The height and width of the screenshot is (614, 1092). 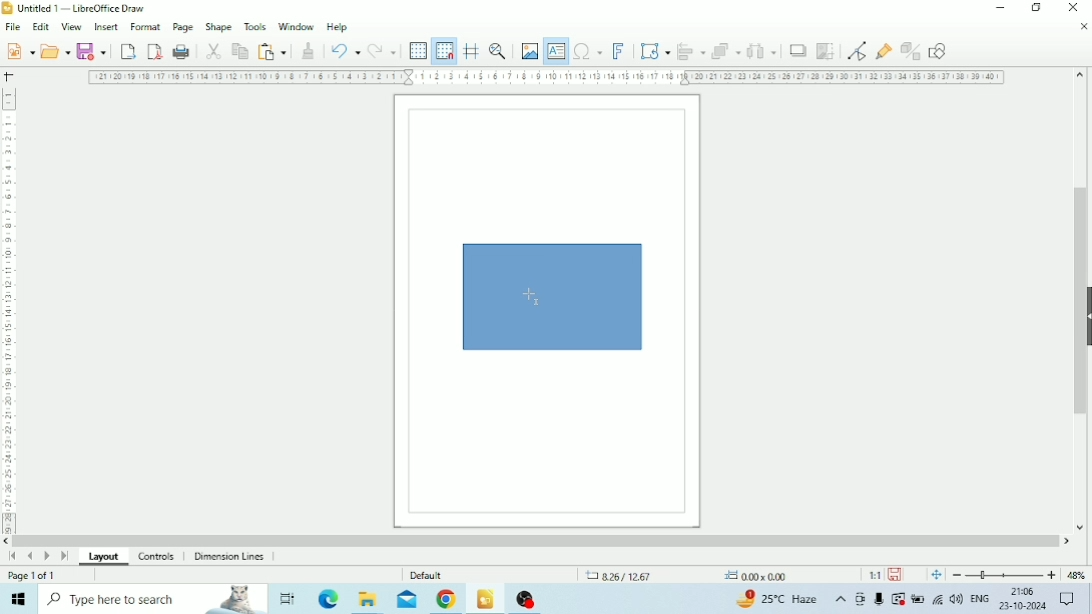 What do you see at coordinates (1035, 9) in the screenshot?
I see `Restore Down` at bounding box center [1035, 9].